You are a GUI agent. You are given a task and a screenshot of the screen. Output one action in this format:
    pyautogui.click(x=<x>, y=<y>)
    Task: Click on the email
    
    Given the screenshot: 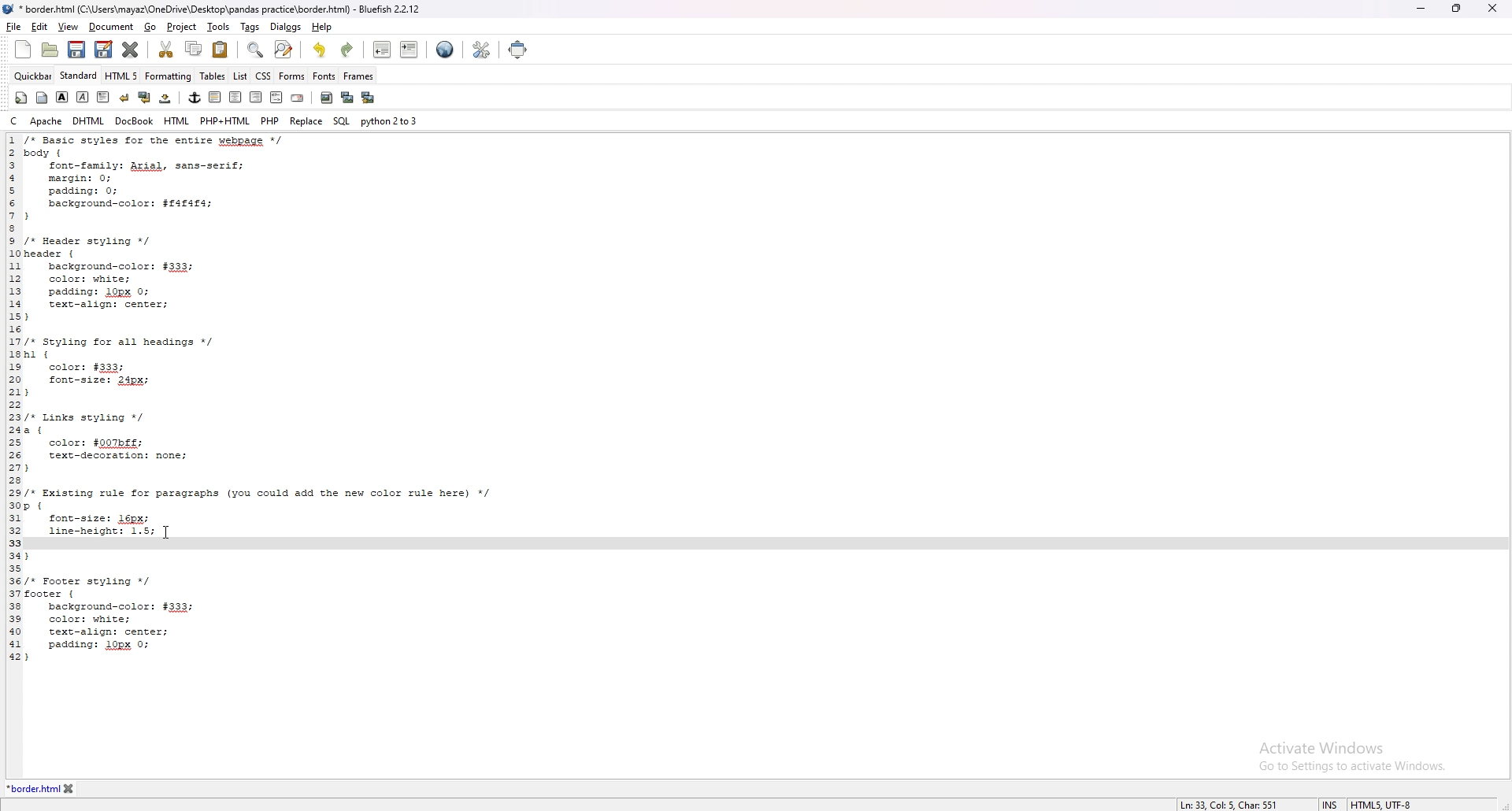 What is the action you would take?
    pyautogui.click(x=298, y=97)
    